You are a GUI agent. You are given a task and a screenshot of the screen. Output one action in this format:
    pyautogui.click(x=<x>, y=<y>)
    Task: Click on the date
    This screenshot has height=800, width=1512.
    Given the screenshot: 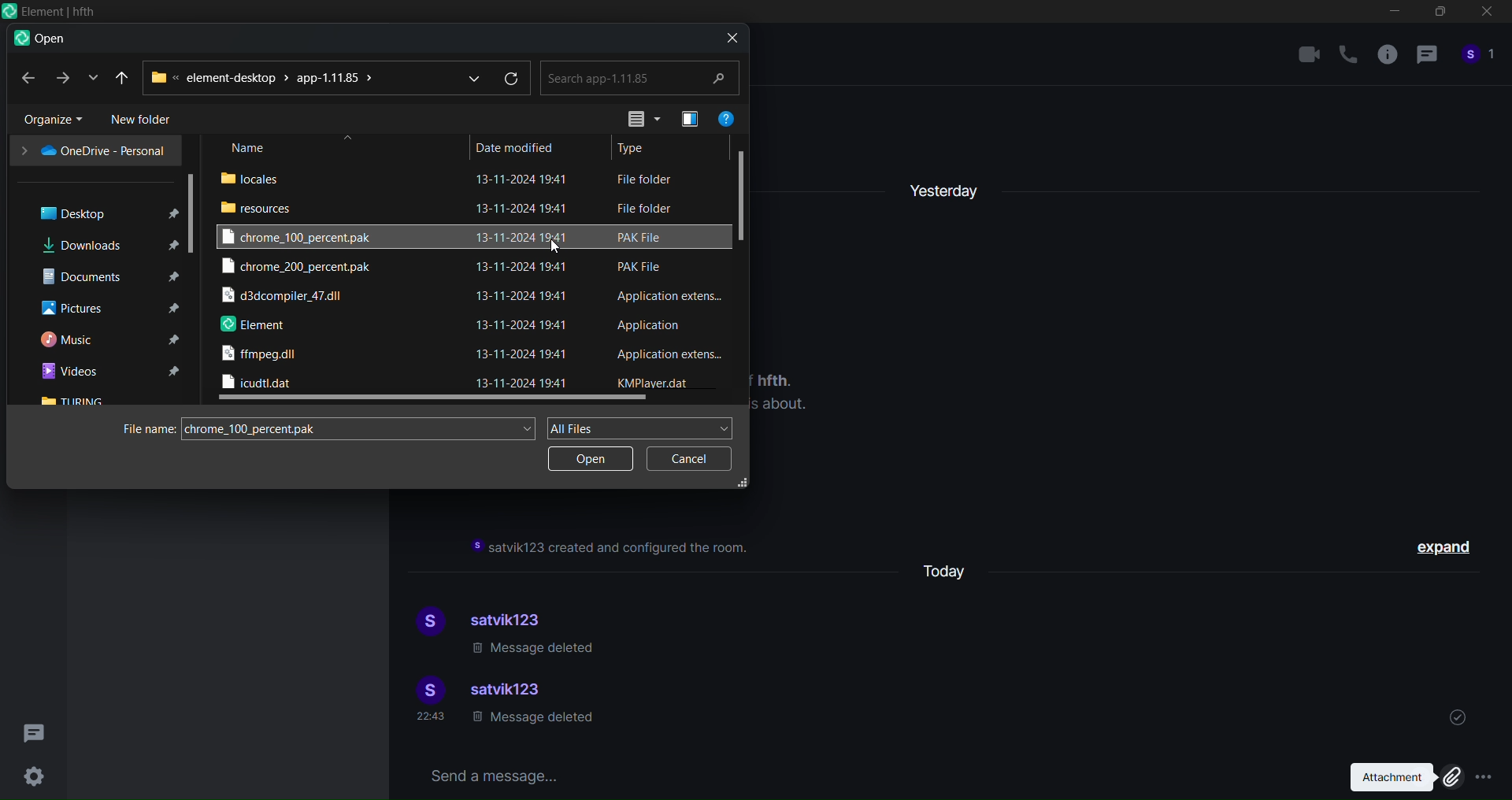 What is the action you would take?
    pyautogui.click(x=526, y=280)
    